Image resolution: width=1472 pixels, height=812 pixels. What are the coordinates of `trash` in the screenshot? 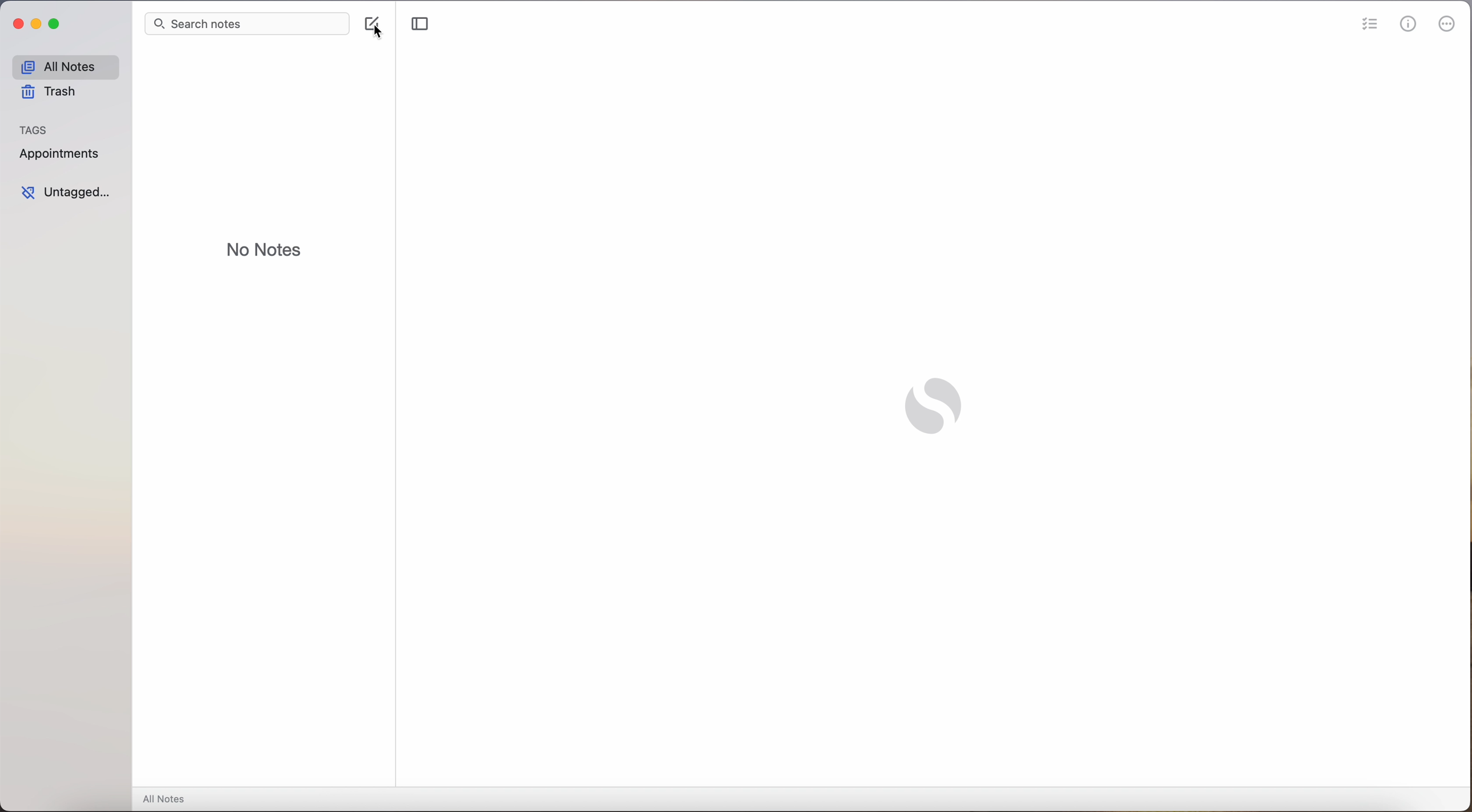 It's located at (49, 92).